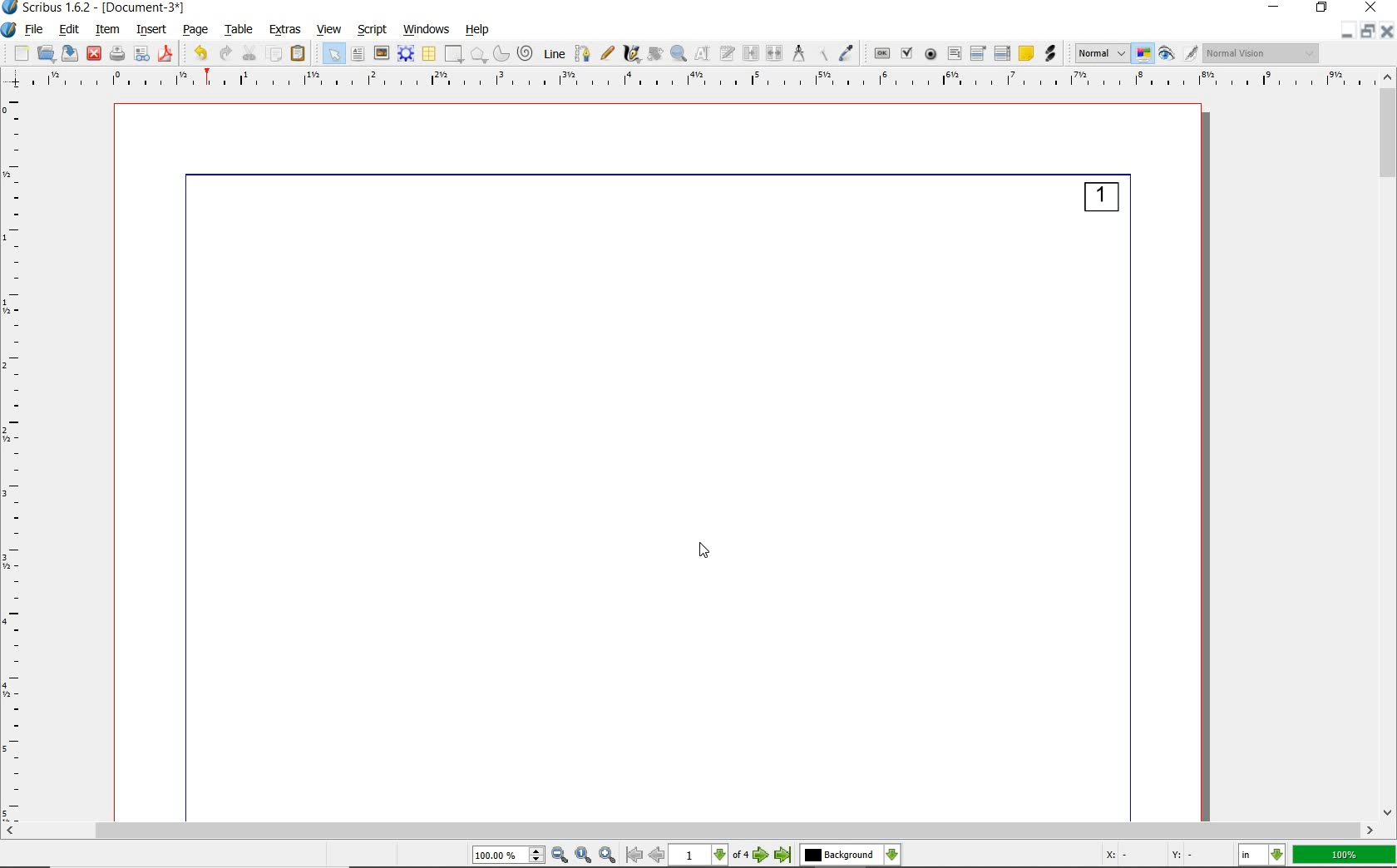 The image size is (1397, 868). What do you see at coordinates (906, 52) in the screenshot?
I see `pdf check box` at bounding box center [906, 52].